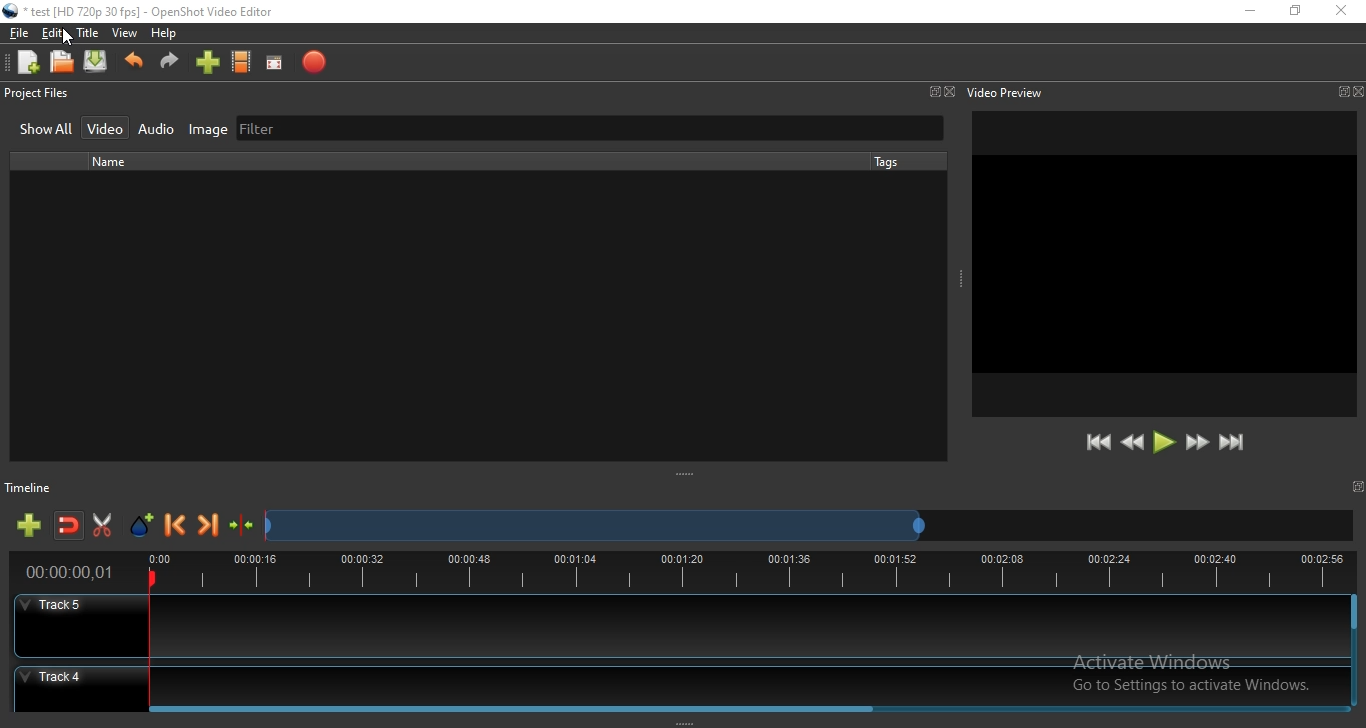 This screenshot has height=728, width=1366. What do you see at coordinates (1233, 443) in the screenshot?
I see `Jump to end` at bounding box center [1233, 443].